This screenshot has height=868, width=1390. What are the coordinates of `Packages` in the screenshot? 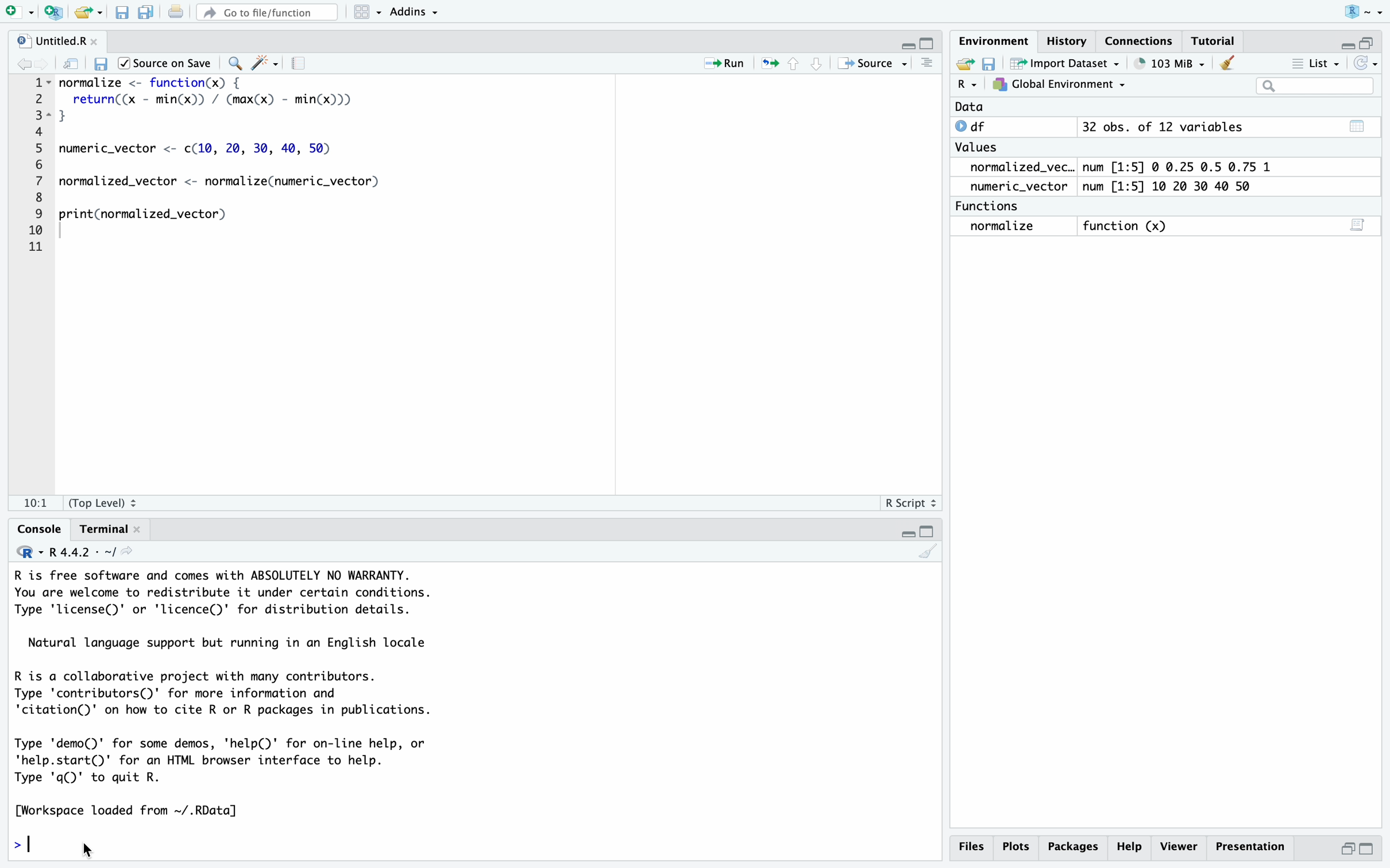 It's located at (1075, 847).